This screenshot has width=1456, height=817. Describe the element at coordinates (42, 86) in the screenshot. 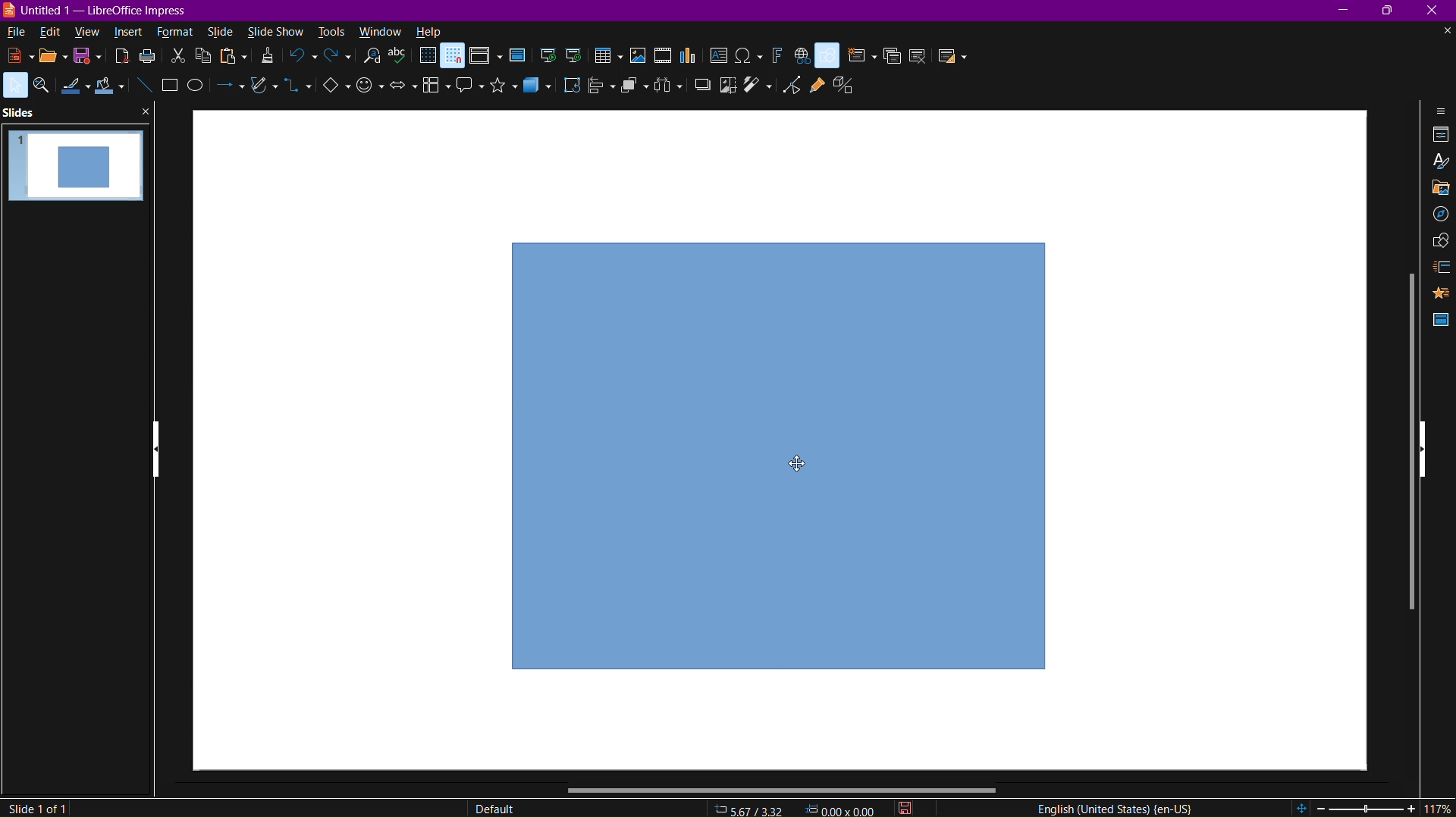

I see `Zoom` at that location.